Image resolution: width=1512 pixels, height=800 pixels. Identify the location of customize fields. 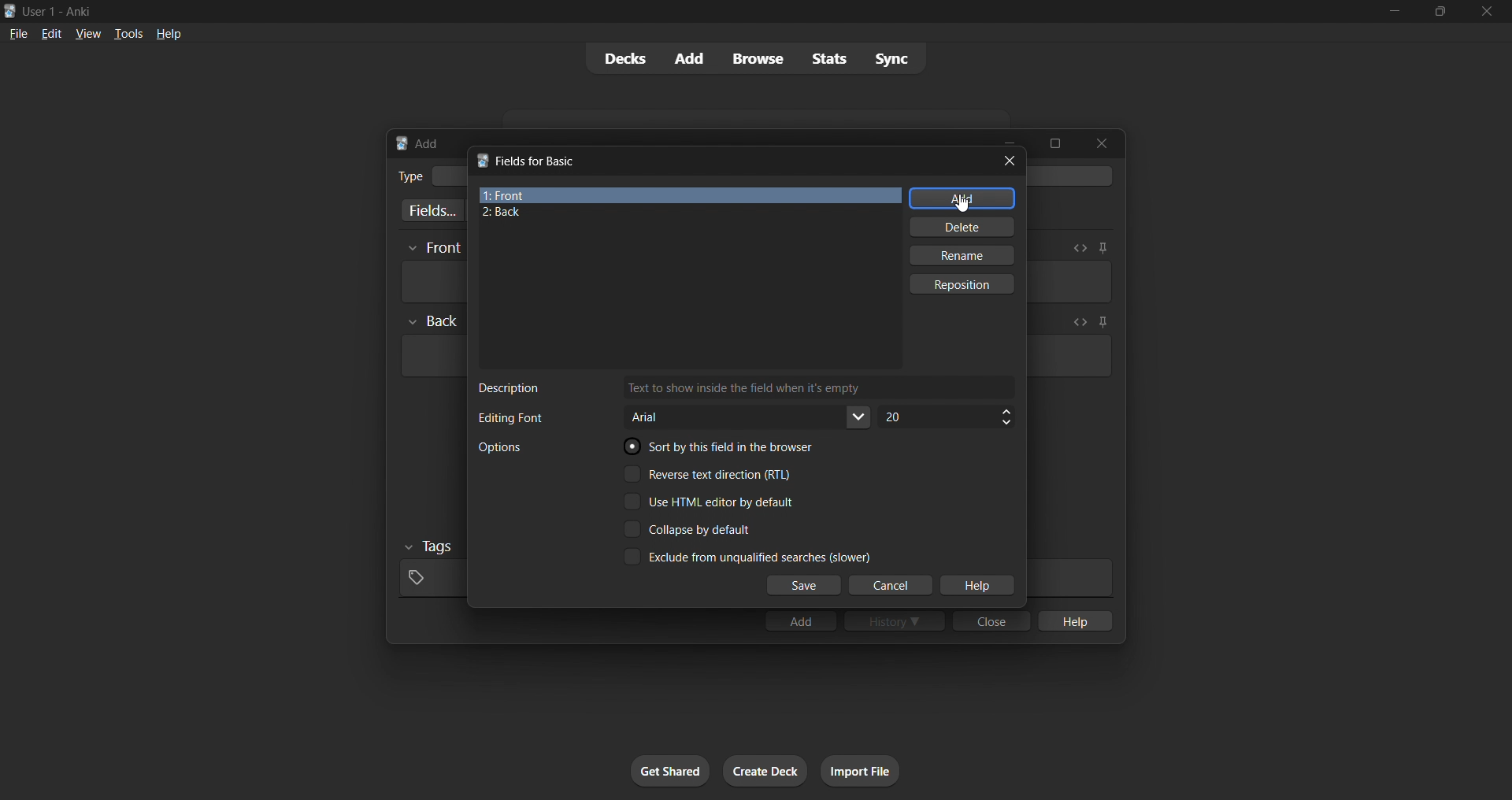
(429, 210).